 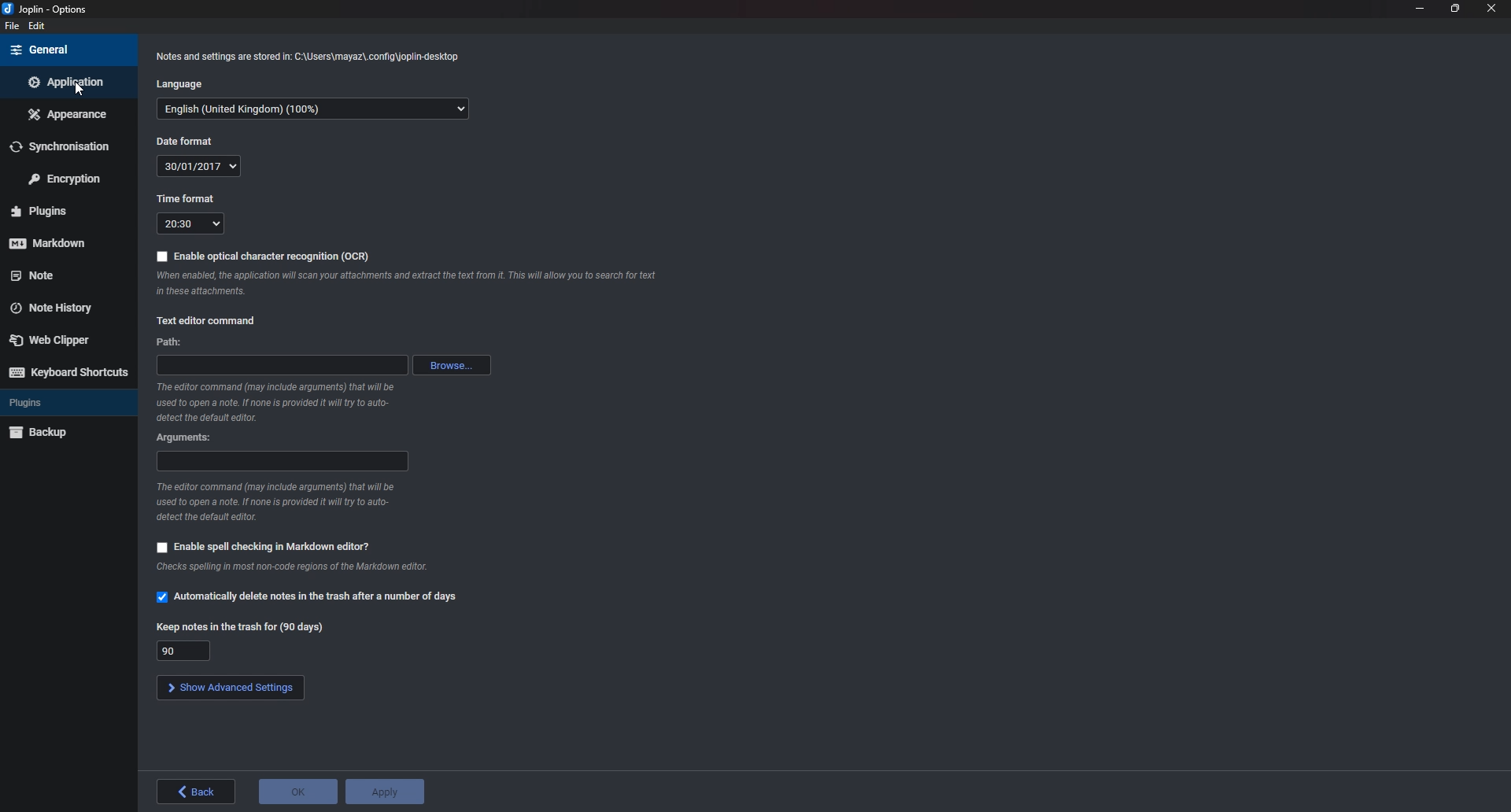 What do you see at coordinates (192, 224) in the screenshot?
I see `Time format` at bounding box center [192, 224].